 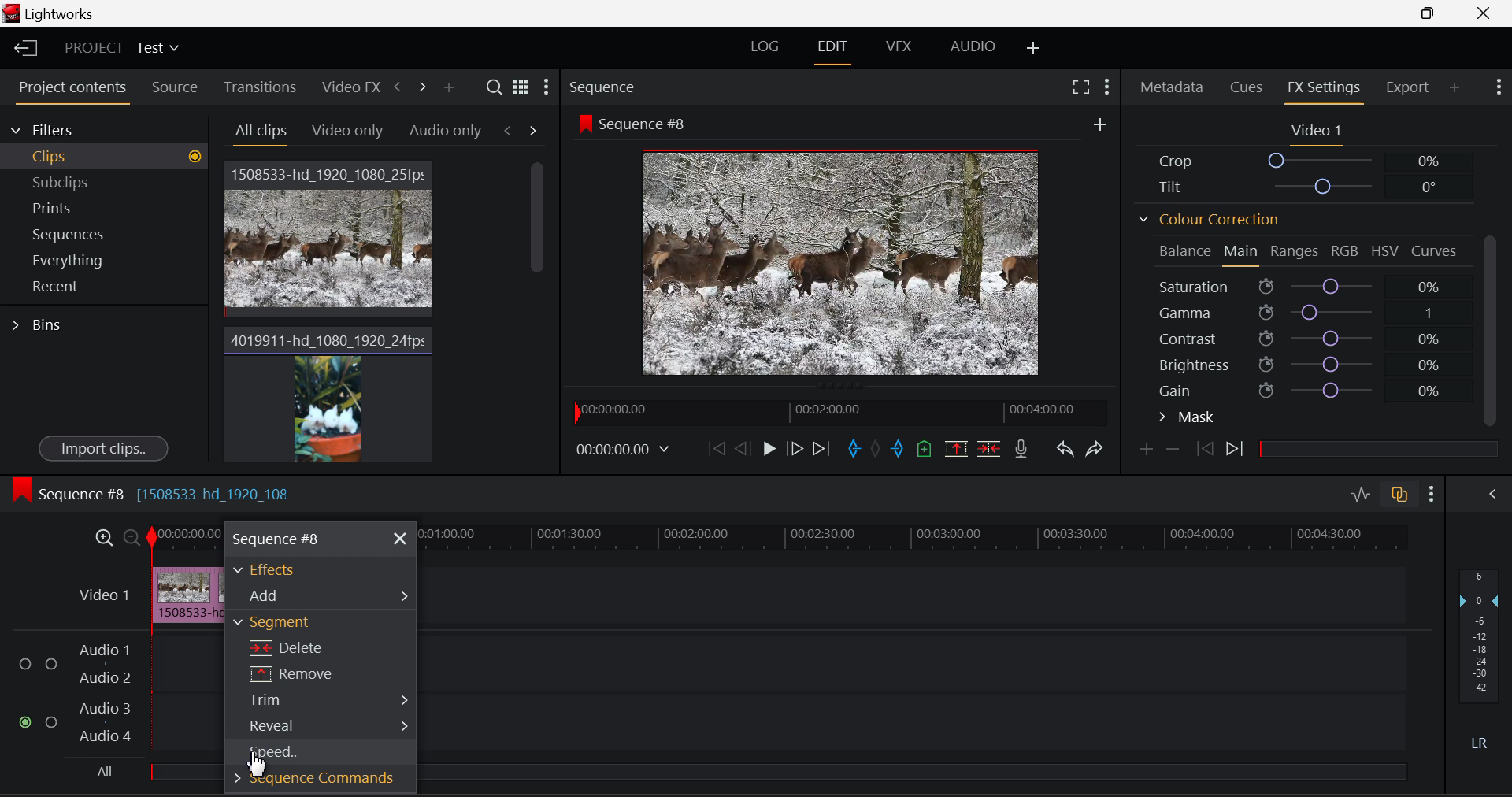 I want to click on Remove, so click(x=317, y=673).